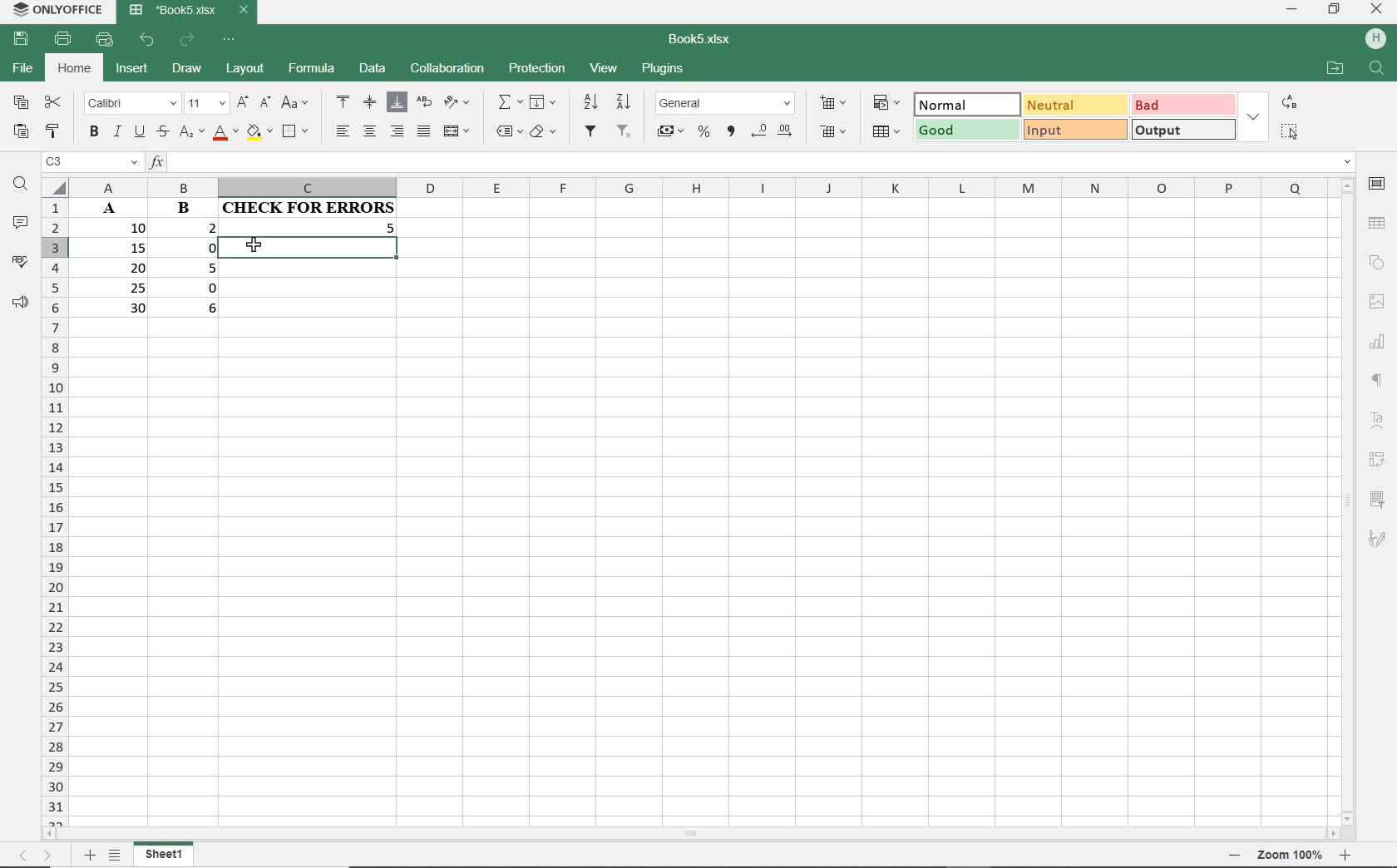 The width and height of the screenshot is (1397, 868). I want to click on MINIMIZE, so click(1291, 10).